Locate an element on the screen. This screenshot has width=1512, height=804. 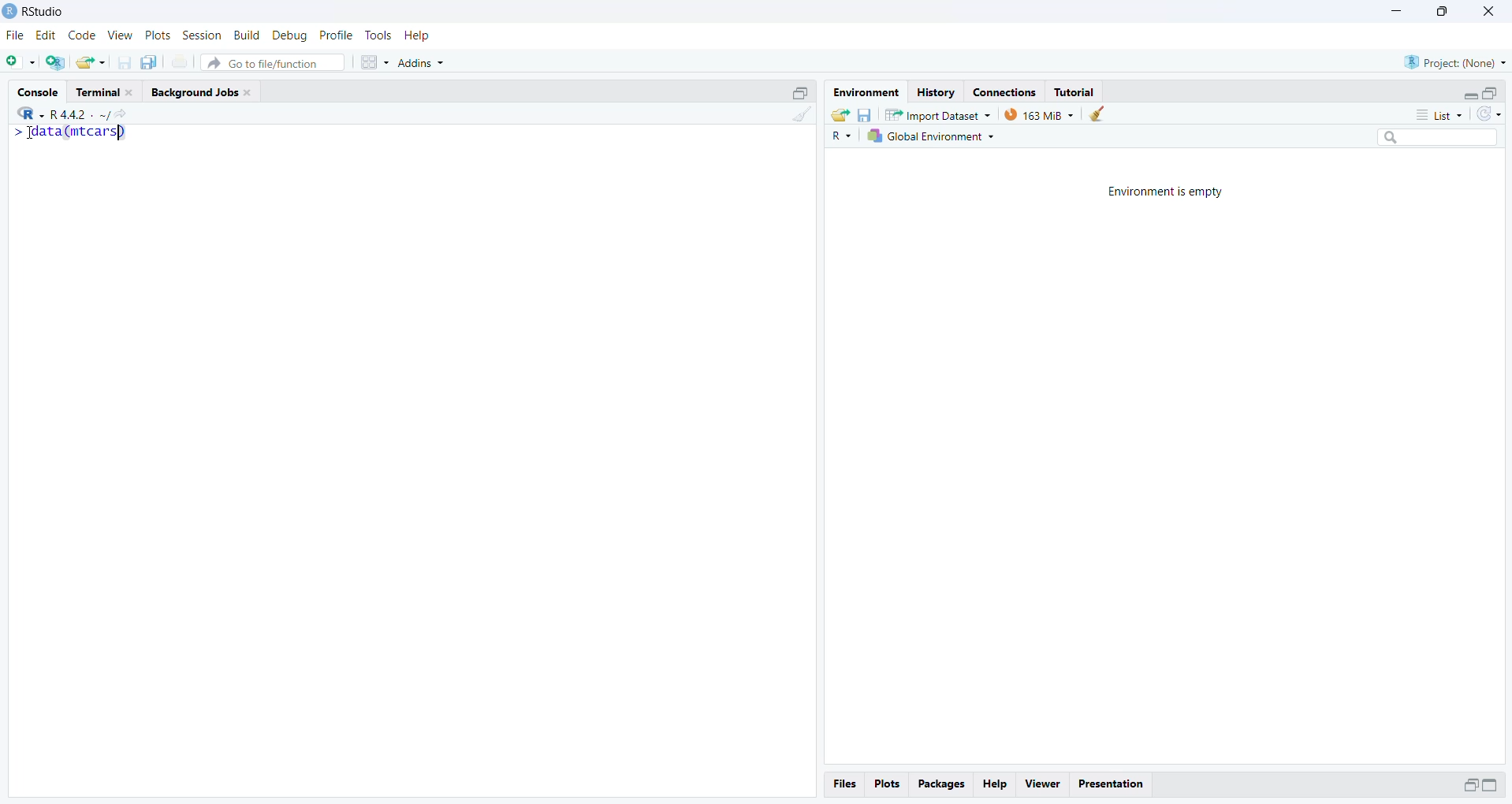
Environment is empty is located at coordinates (1167, 192).